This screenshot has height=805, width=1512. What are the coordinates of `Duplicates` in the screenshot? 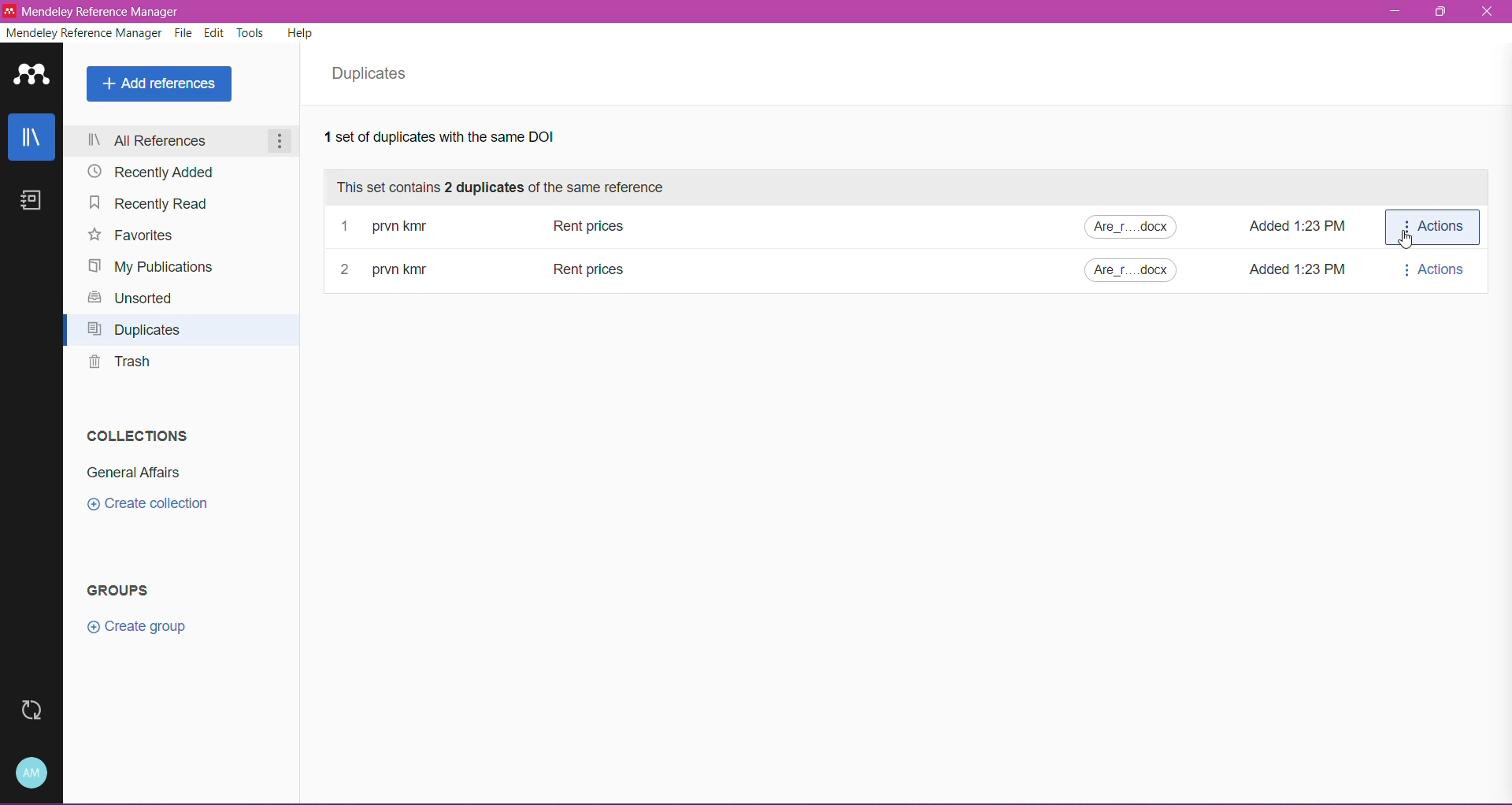 It's located at (139, 332).